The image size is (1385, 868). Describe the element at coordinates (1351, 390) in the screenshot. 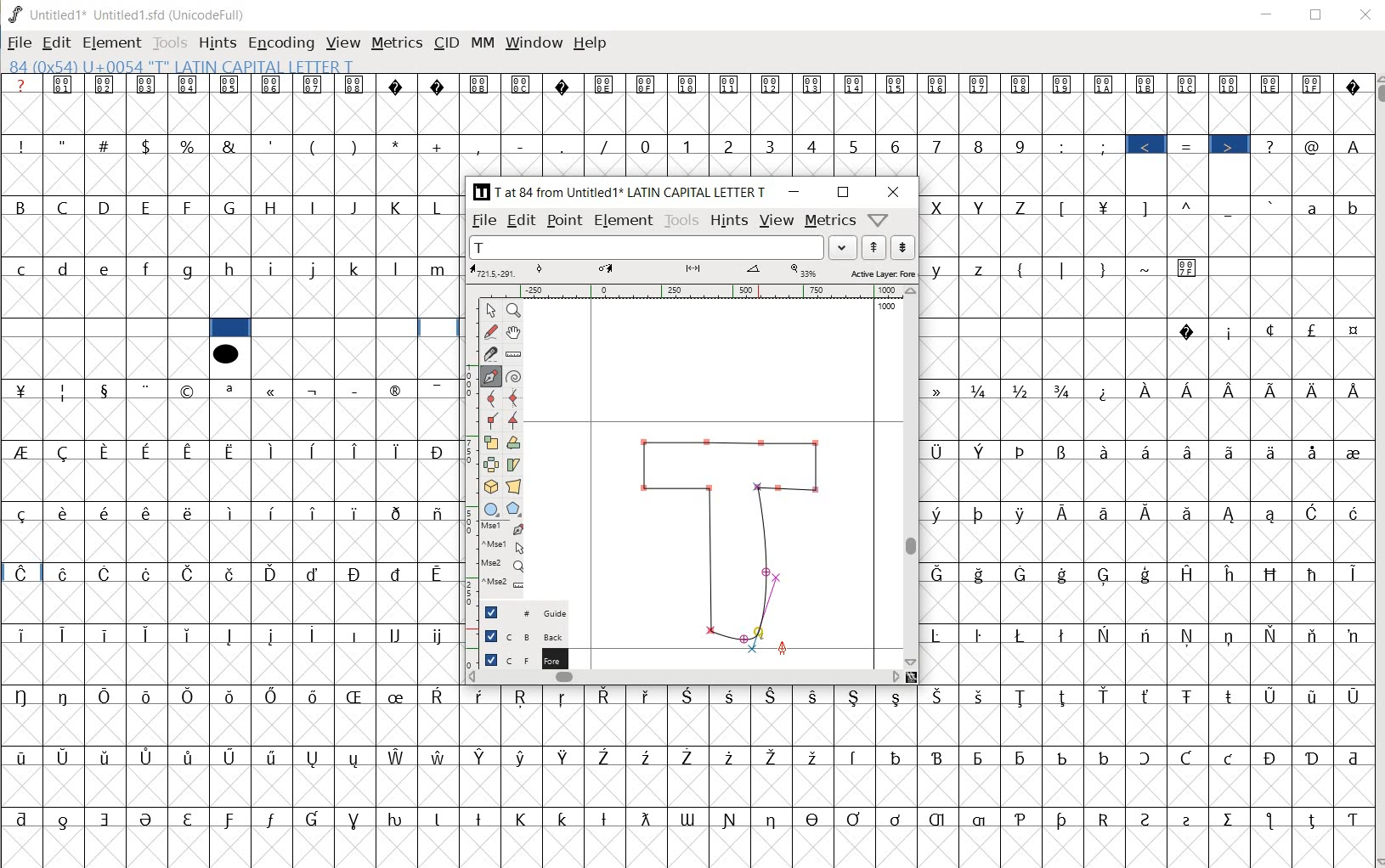

I see `Symbol` at that location.